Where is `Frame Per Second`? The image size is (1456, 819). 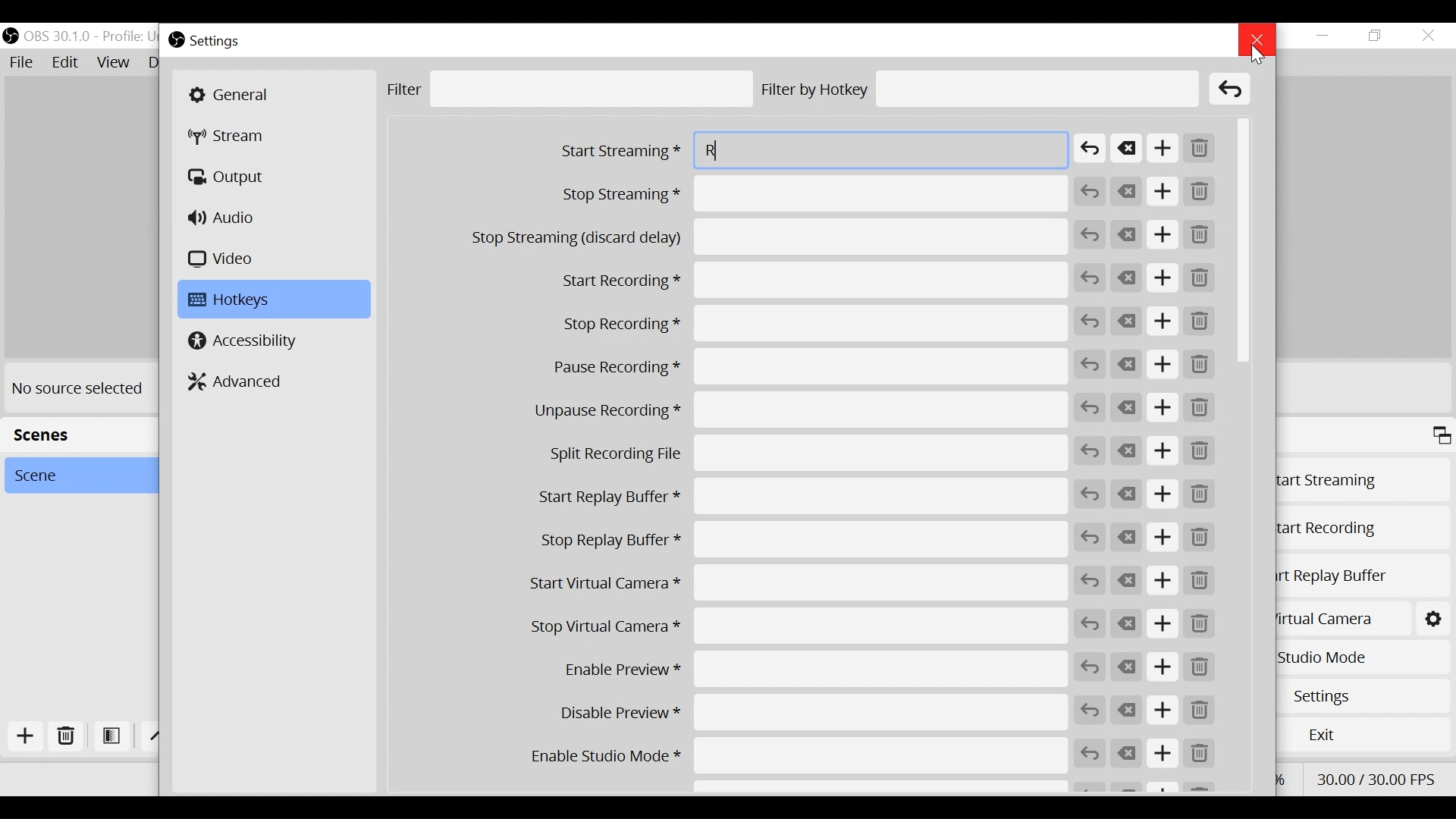
Frame Per Second is located at coordinates (1375, 777).